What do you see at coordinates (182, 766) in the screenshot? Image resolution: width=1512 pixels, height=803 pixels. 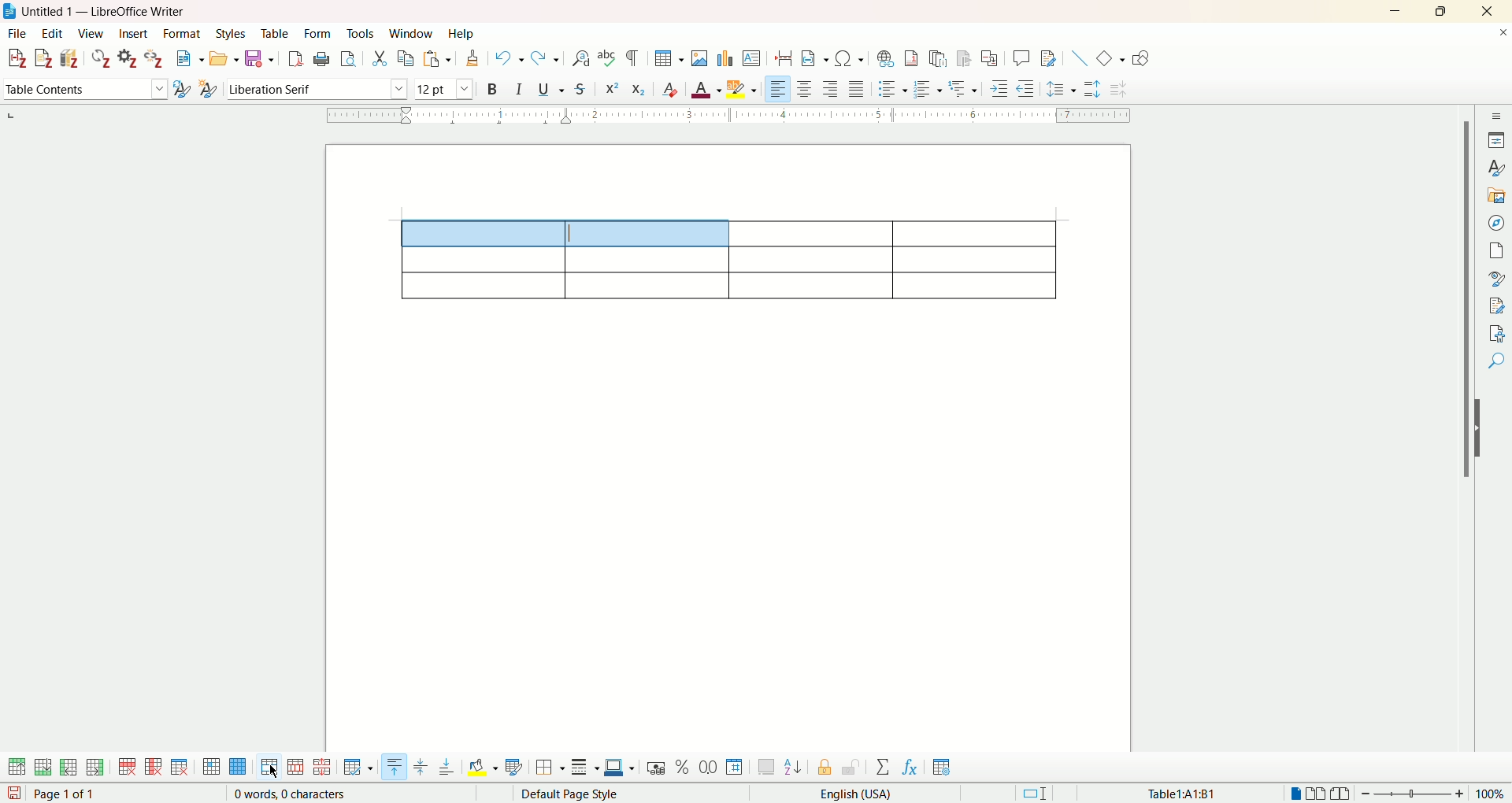 I see `delete table` at bounding box center [182, 766].